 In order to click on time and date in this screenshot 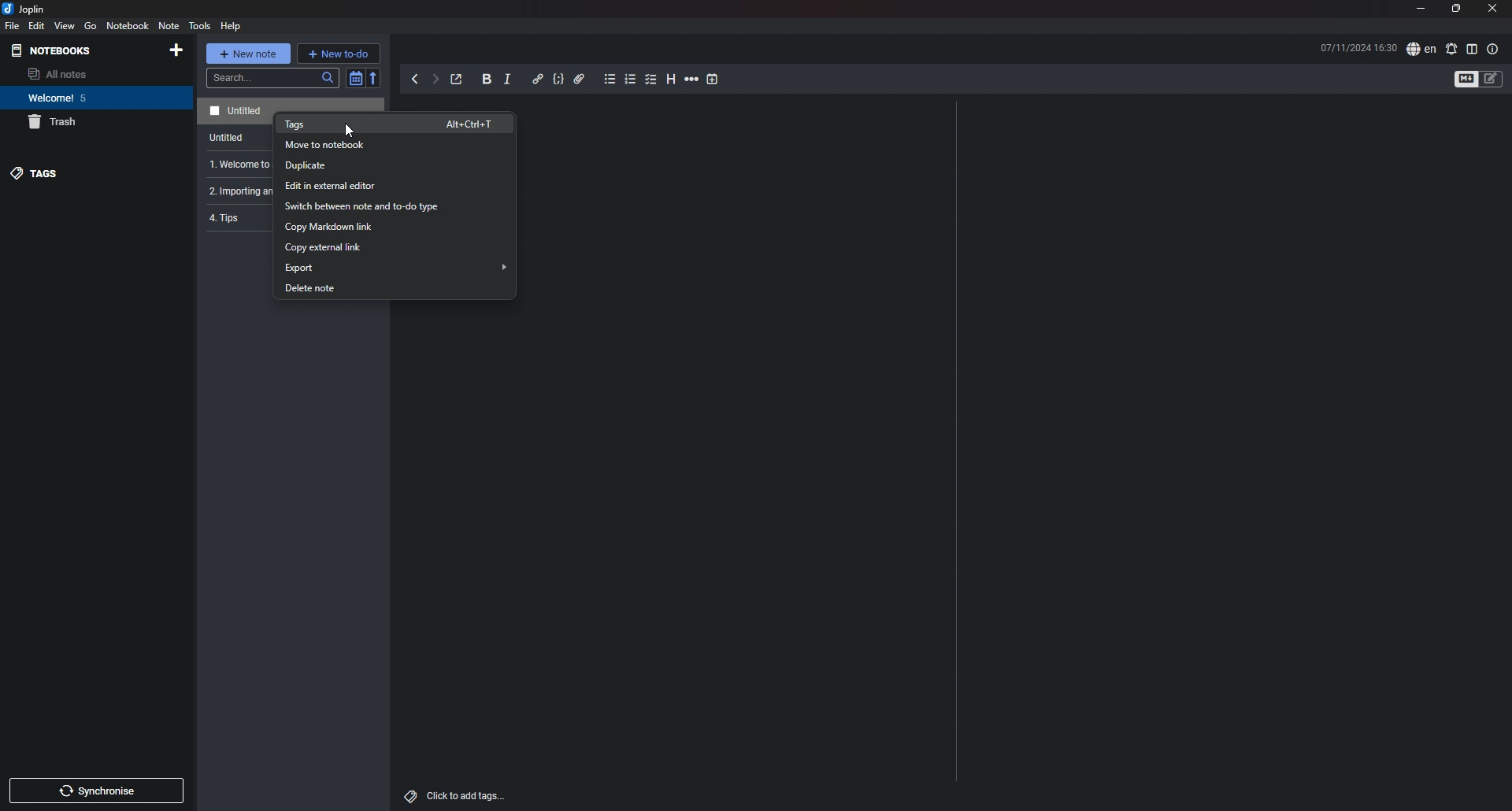, I will do `click(1358, 47)`.